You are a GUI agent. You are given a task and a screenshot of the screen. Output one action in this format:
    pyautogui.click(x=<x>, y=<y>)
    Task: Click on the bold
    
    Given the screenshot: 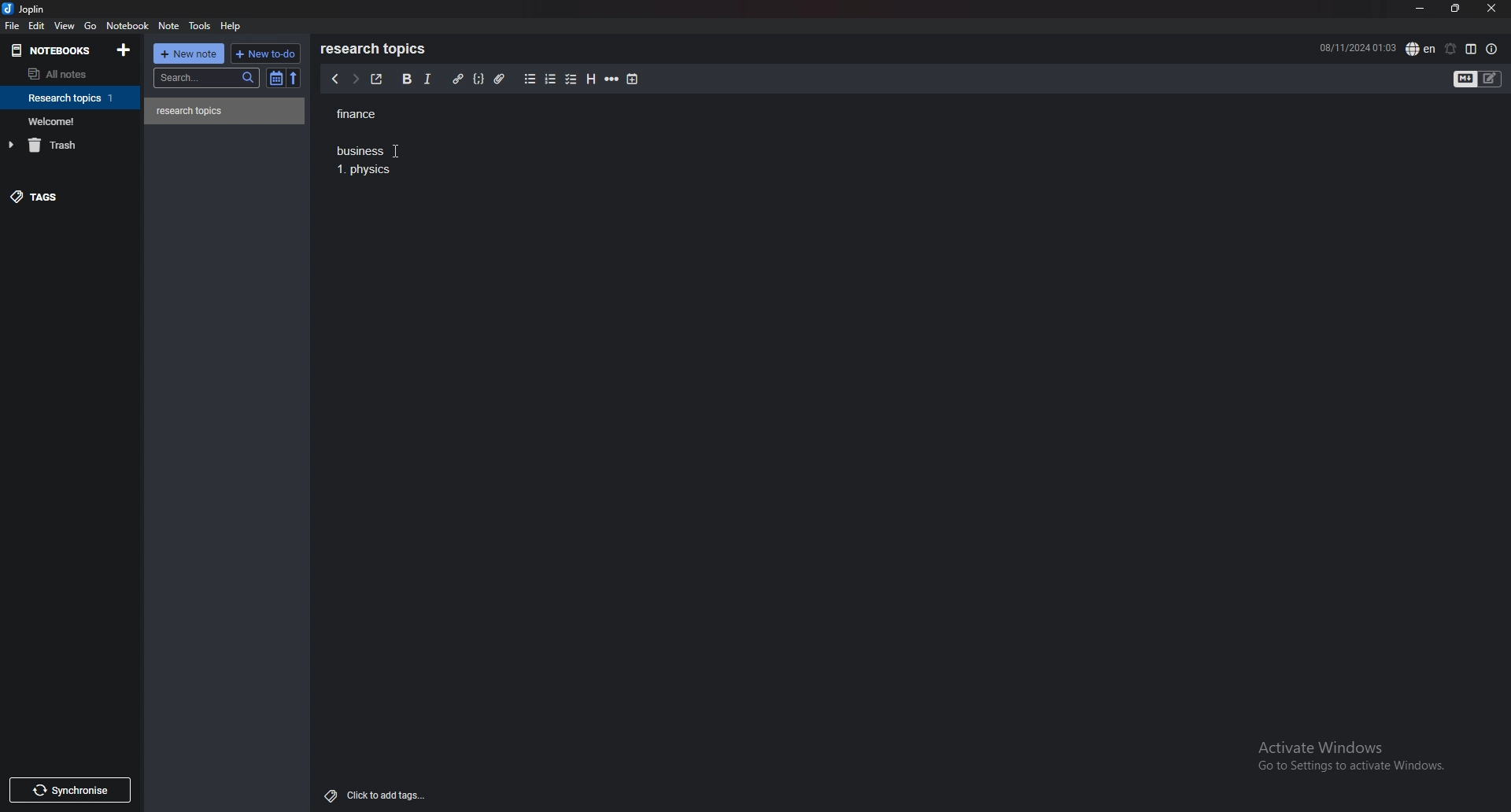 What is the action you would take?
    pyautogui.click(x=405, y=79)
    